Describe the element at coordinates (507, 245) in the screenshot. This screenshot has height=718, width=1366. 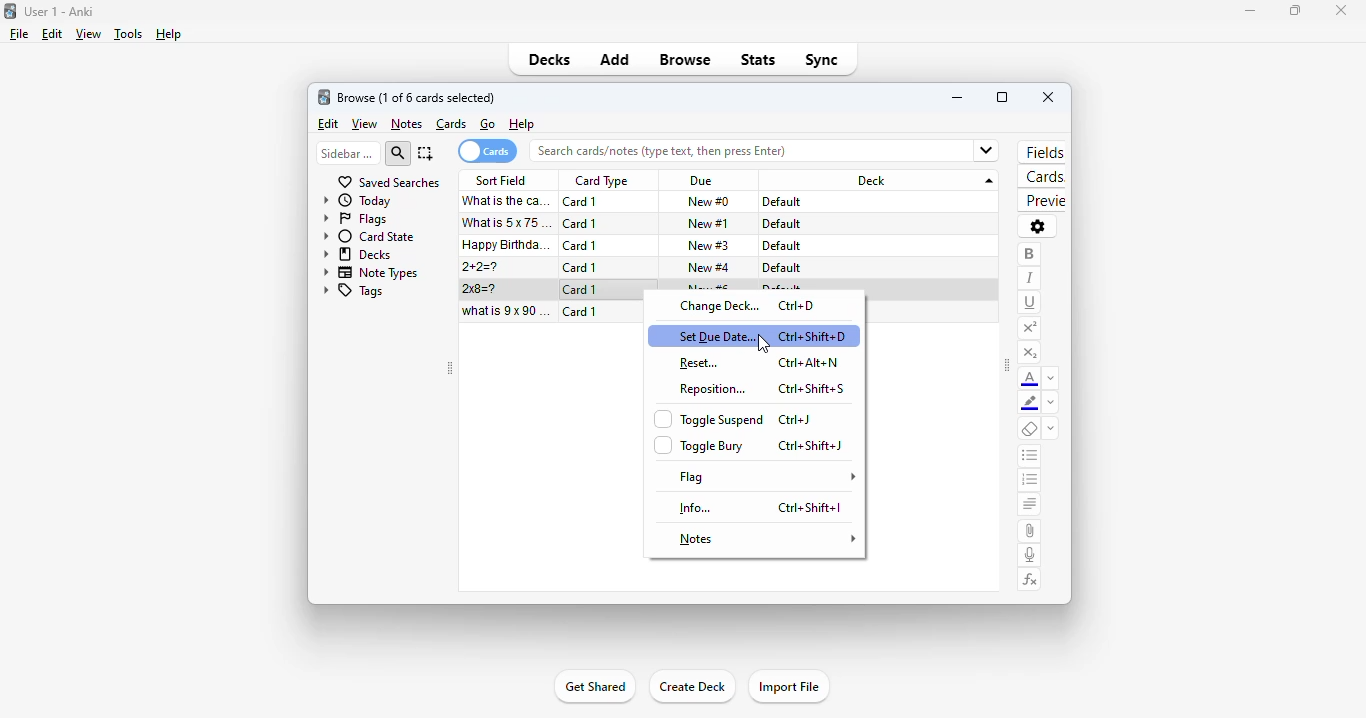
I see `happy birthday song!!!.mp3` at that location.